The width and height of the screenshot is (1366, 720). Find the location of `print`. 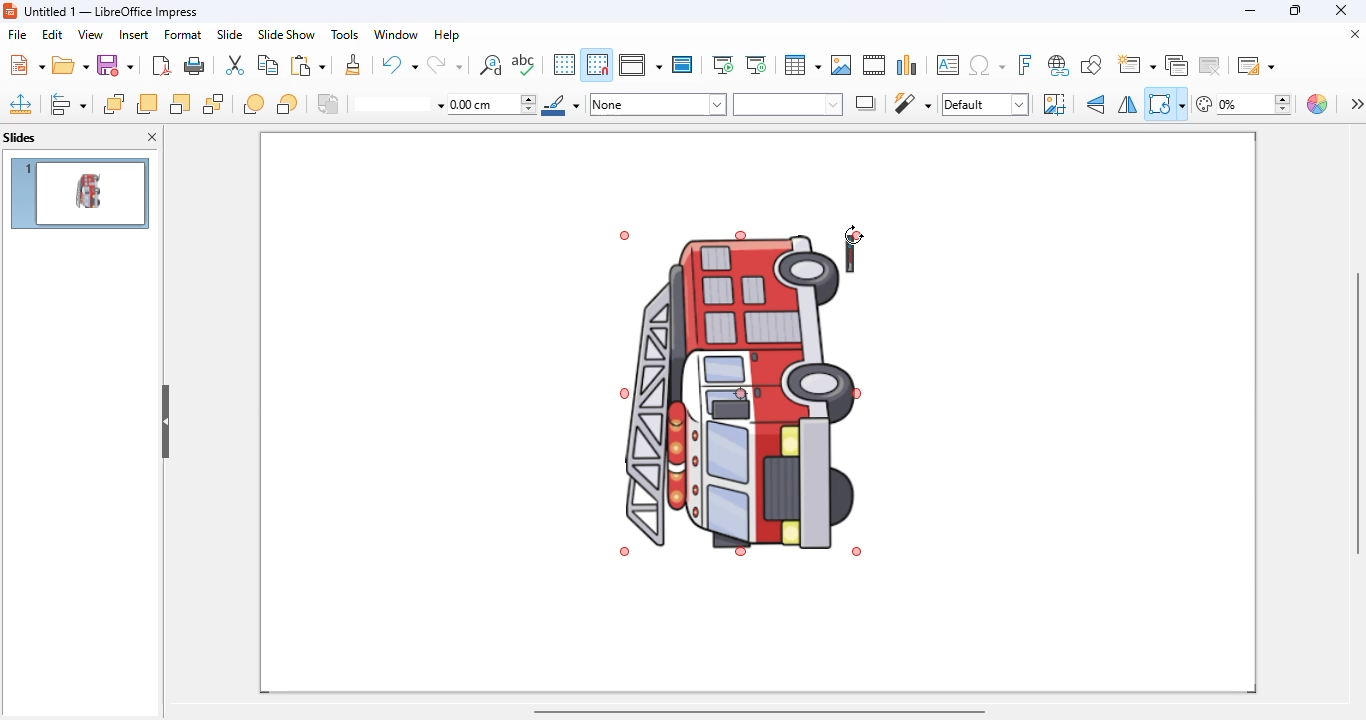

print is located at coordinates (196, 66).